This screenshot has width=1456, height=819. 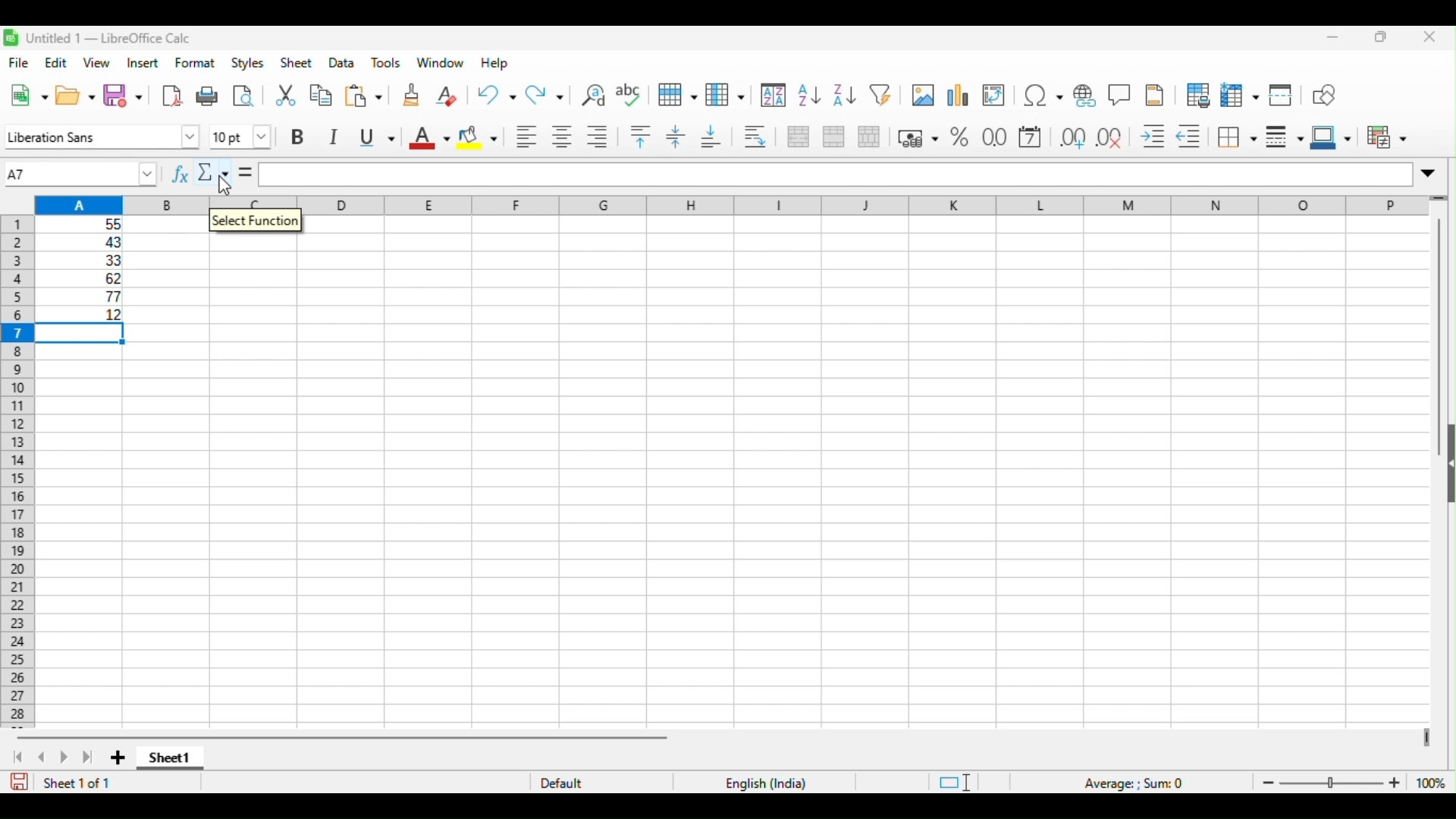 What do you see at coordinates (149, 174) in the screenshot?
I see `drop down` at bounding box center [149, 174].